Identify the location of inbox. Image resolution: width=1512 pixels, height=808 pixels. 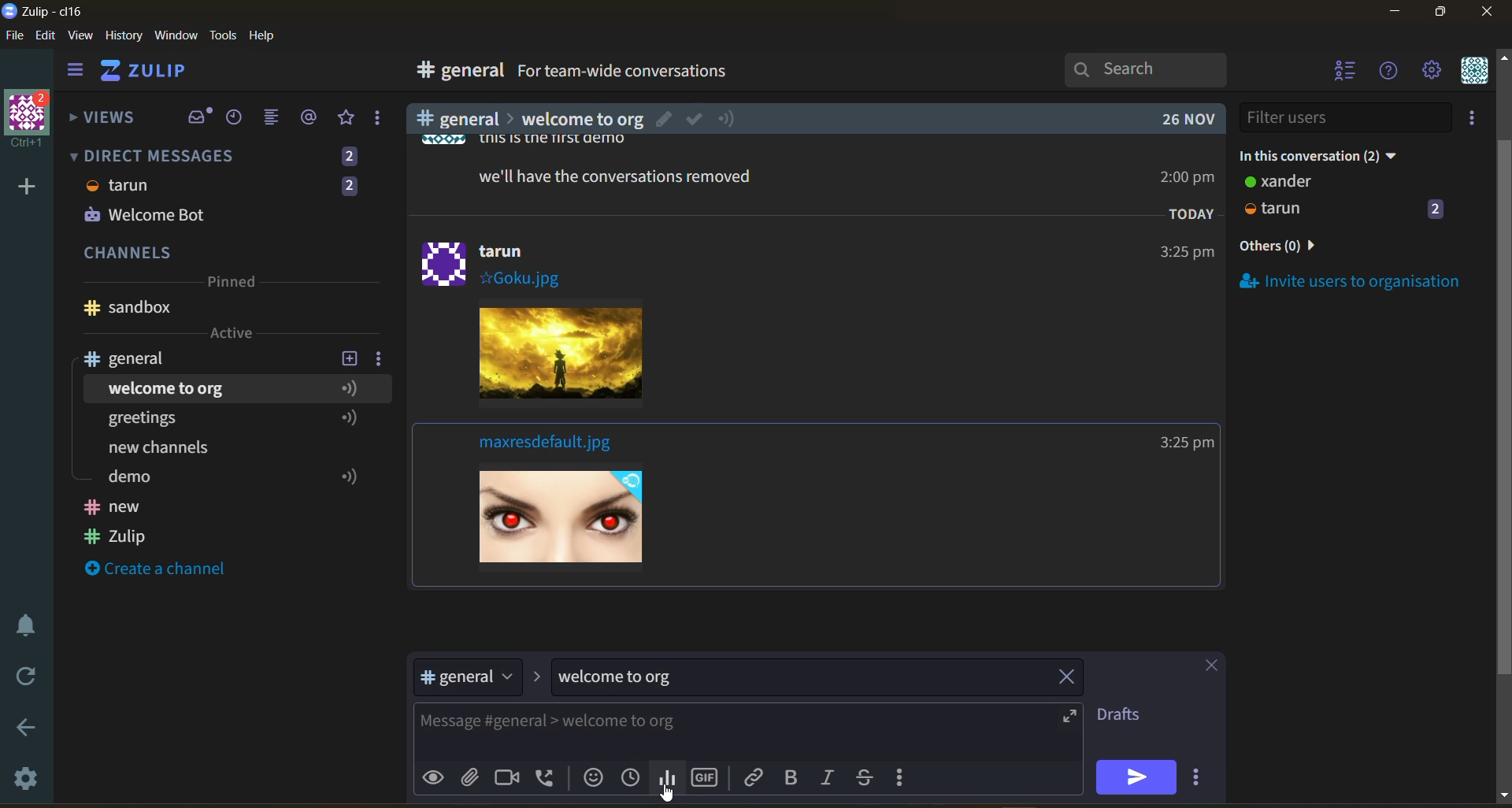
(456, 72).